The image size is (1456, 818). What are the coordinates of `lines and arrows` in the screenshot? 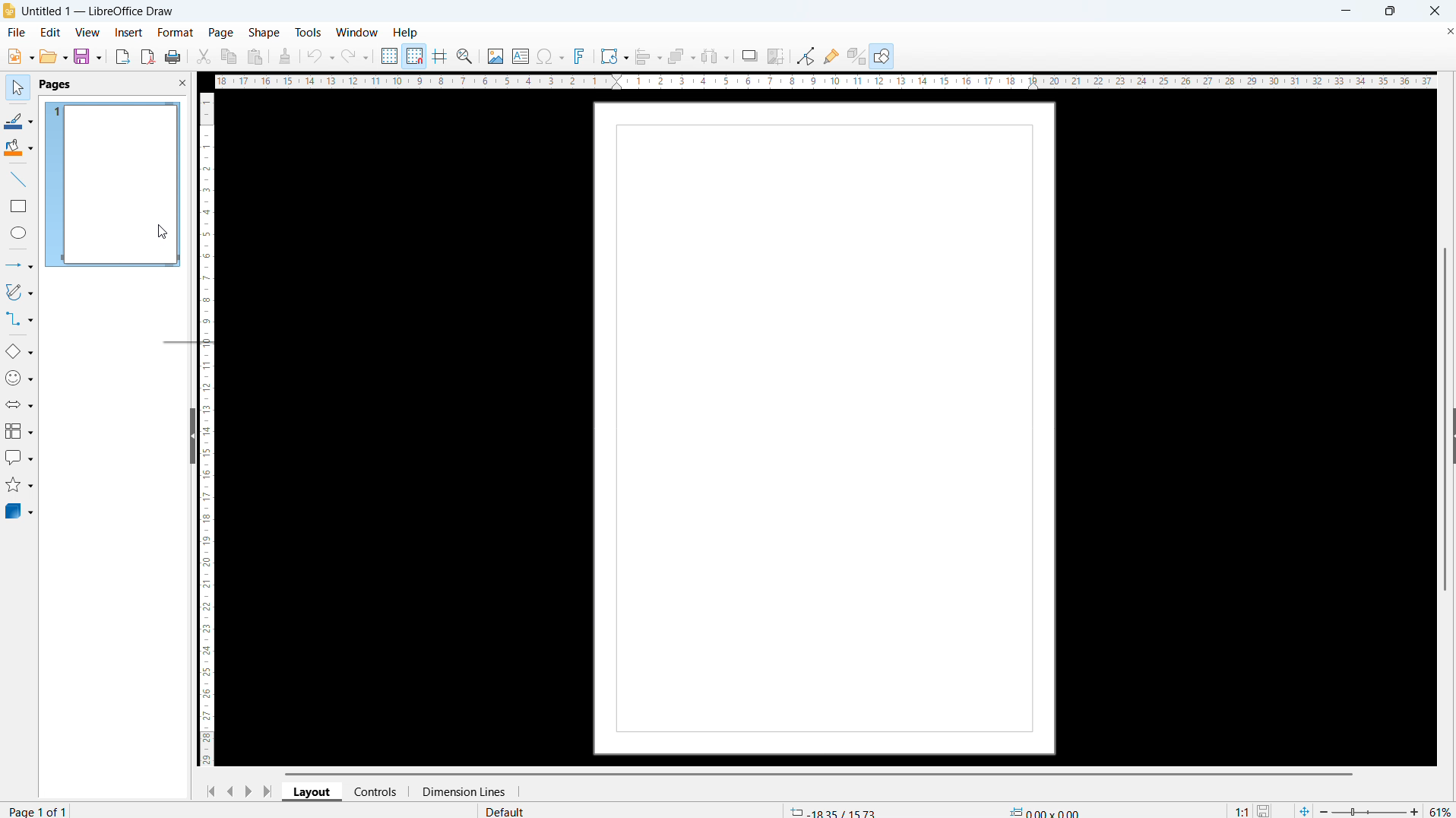 It's located at (19, 266).